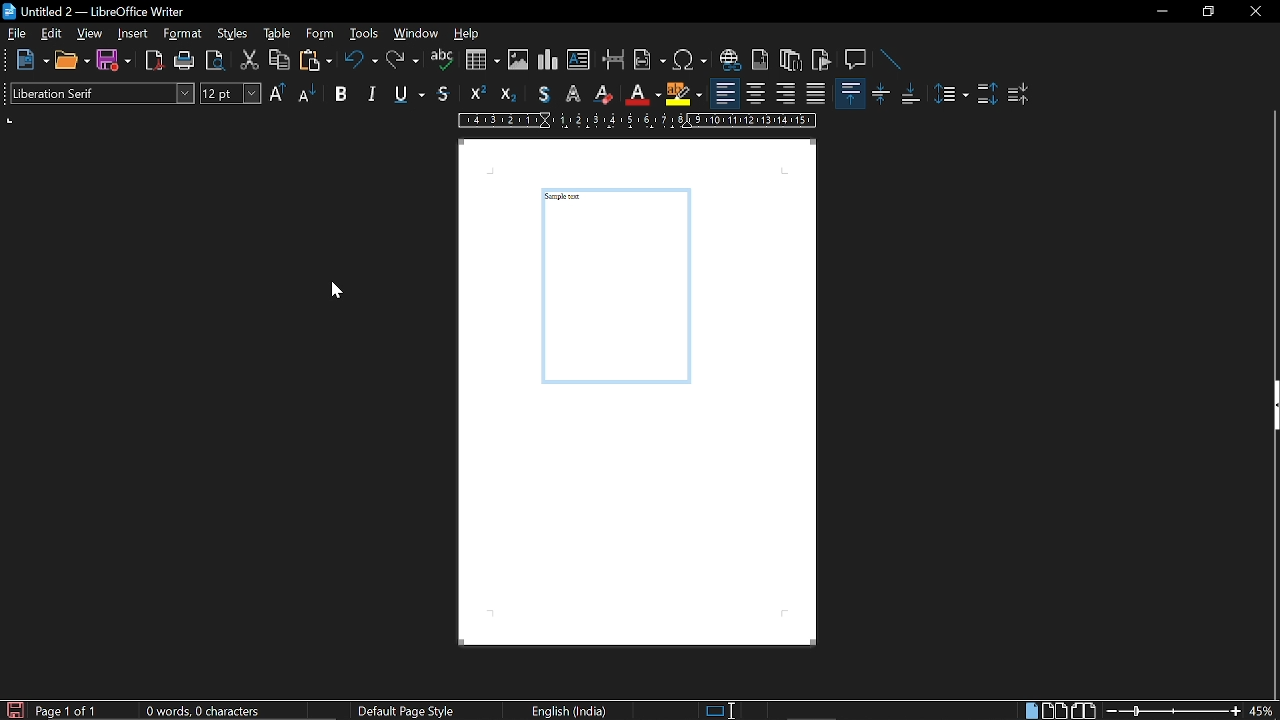 The width and height of the screenshot is (1280, 720). What do you see at coordinates (789, 62) in the screenshot?
I see `insert endnote` at bounding box center [789, 62].